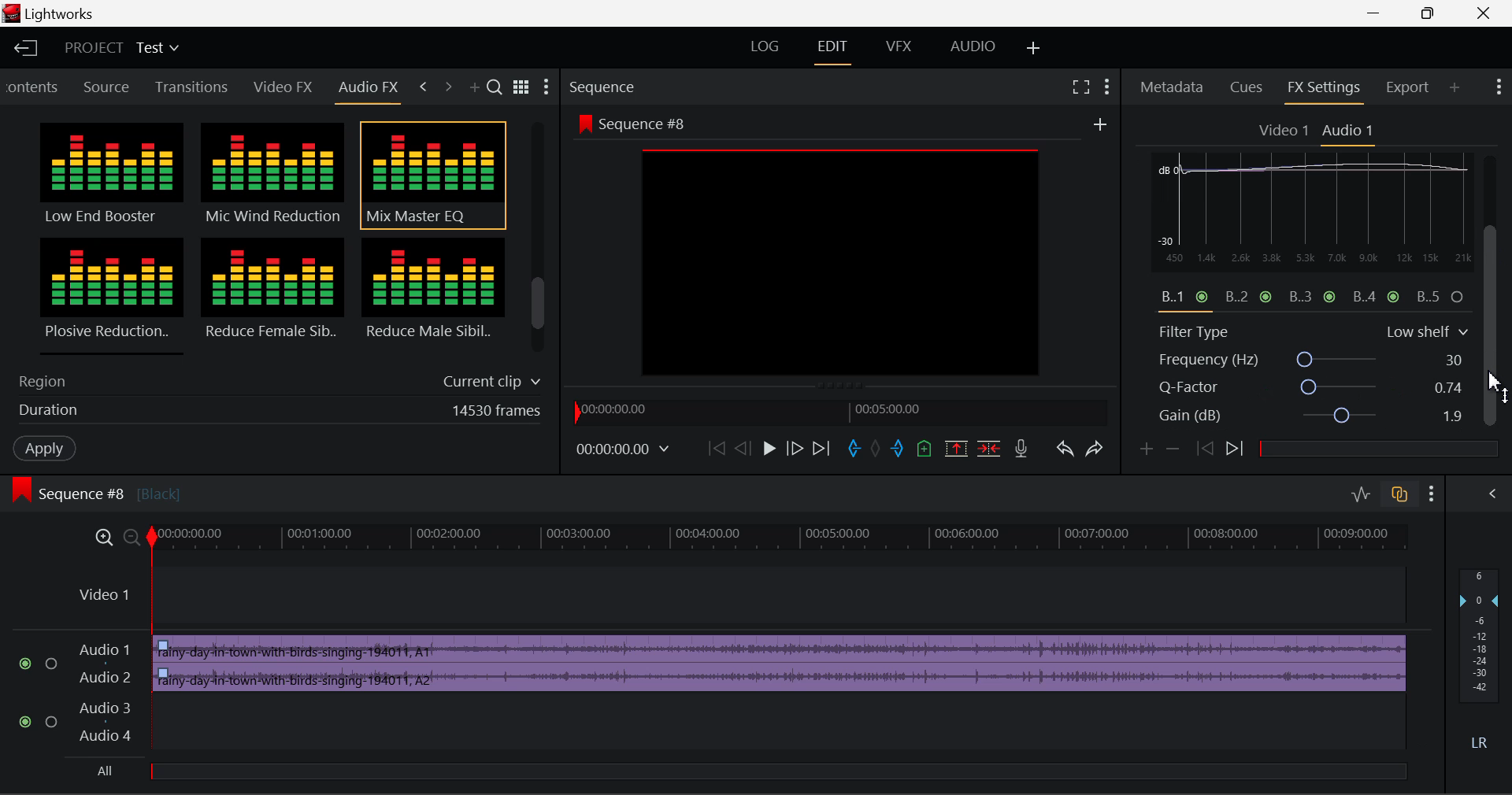  Describe the element at coordinates (432, 294) in the screenshot. I see `Reduce Male Sibilance` at that location.